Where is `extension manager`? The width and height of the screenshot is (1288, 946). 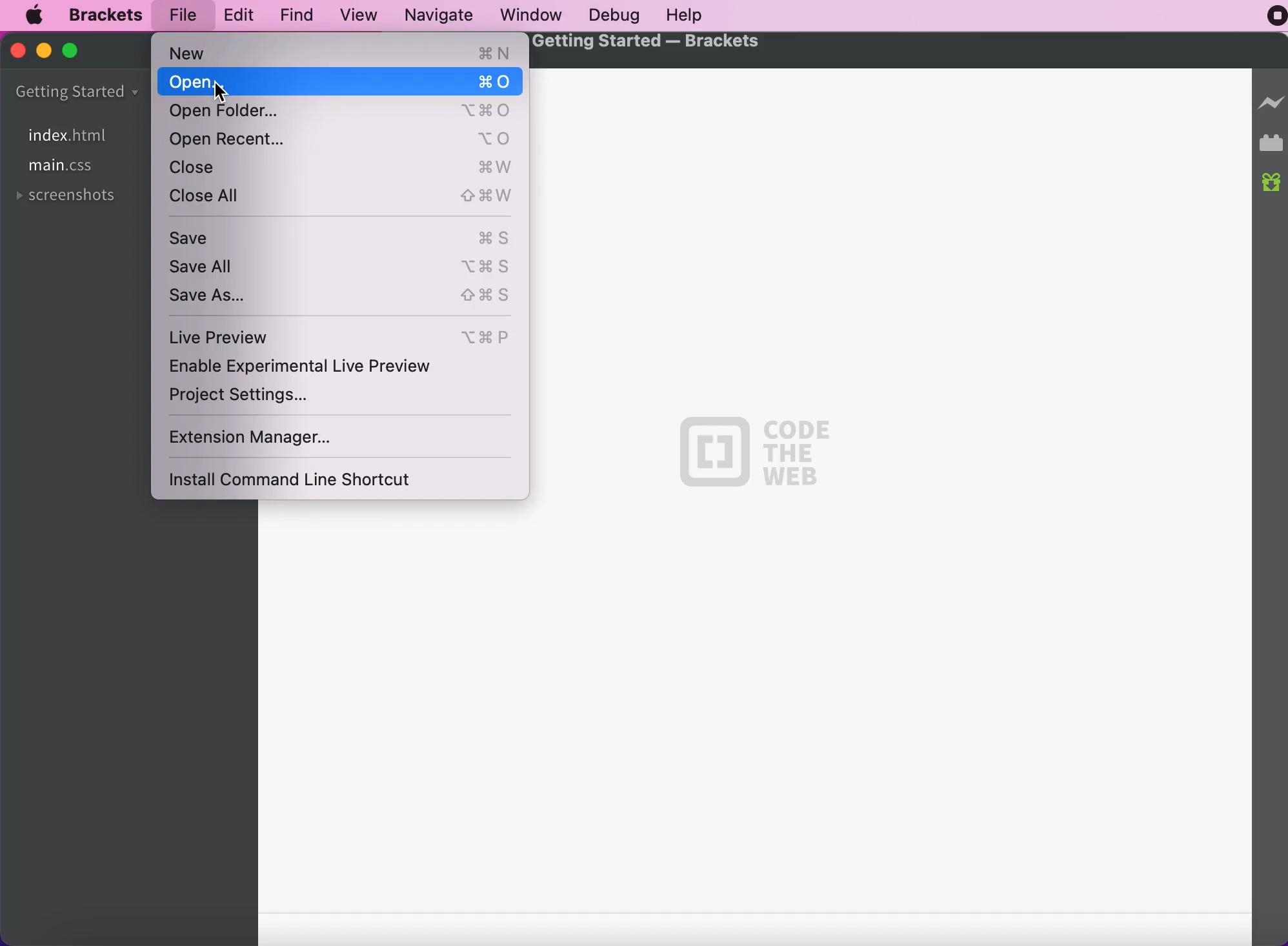
extension manager is located at coordinates (1271, 142).